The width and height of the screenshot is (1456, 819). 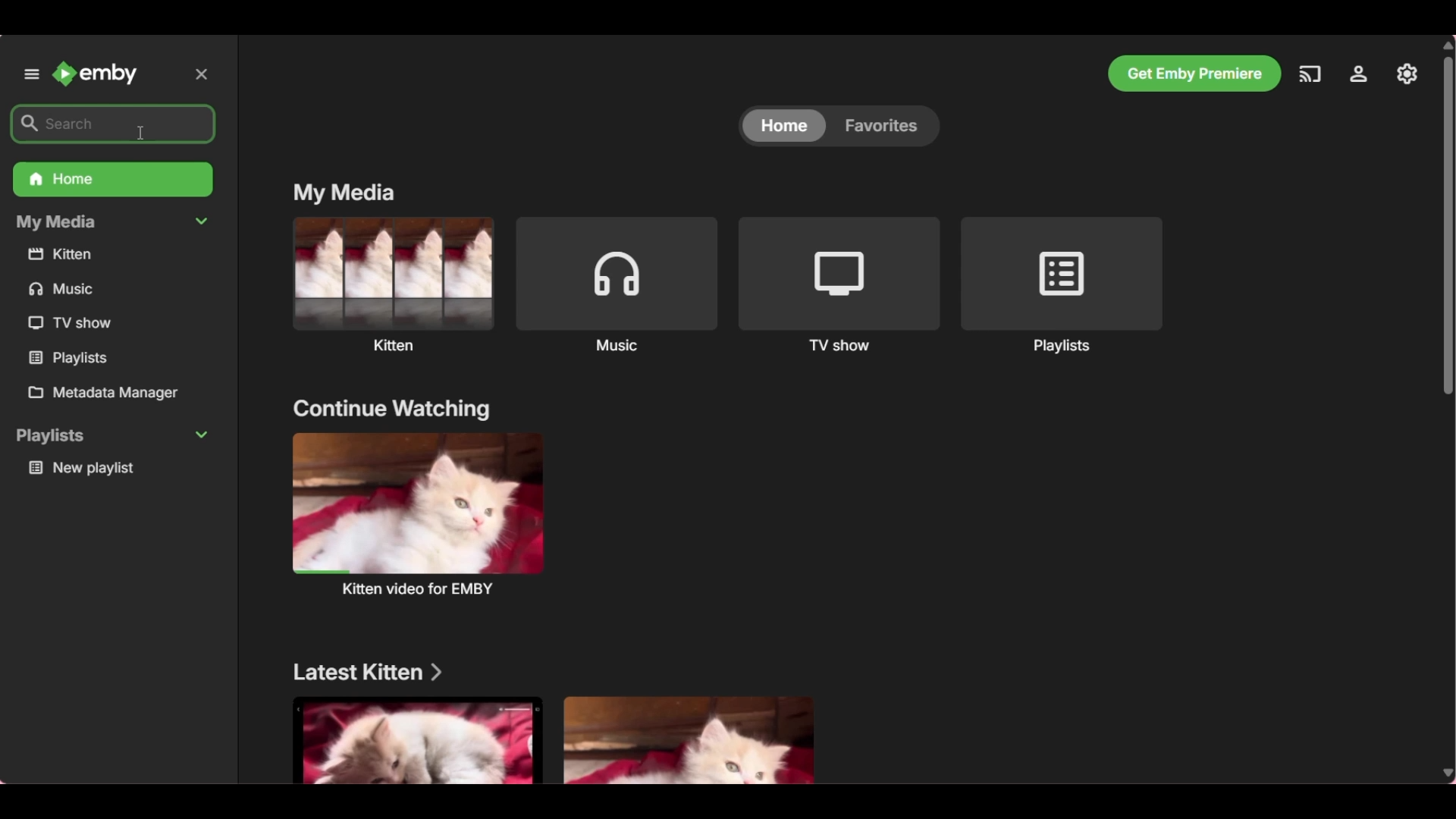 What do you see at coordinates (366, 672) in the screenshot?
I see `Latest kitten` at bounding box center [366, 672].